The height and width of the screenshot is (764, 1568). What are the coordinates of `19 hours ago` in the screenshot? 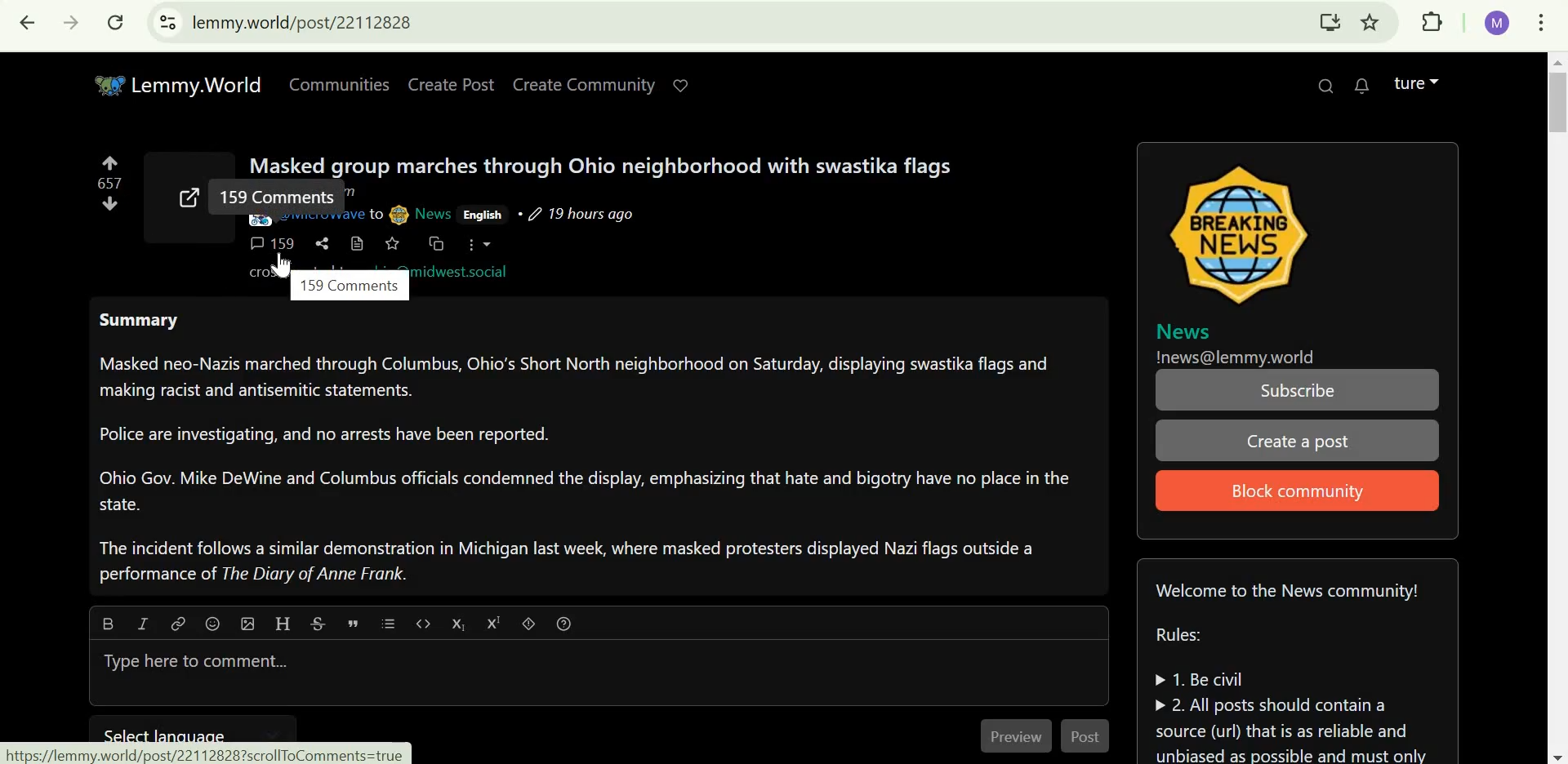 It's located at (581, 214).